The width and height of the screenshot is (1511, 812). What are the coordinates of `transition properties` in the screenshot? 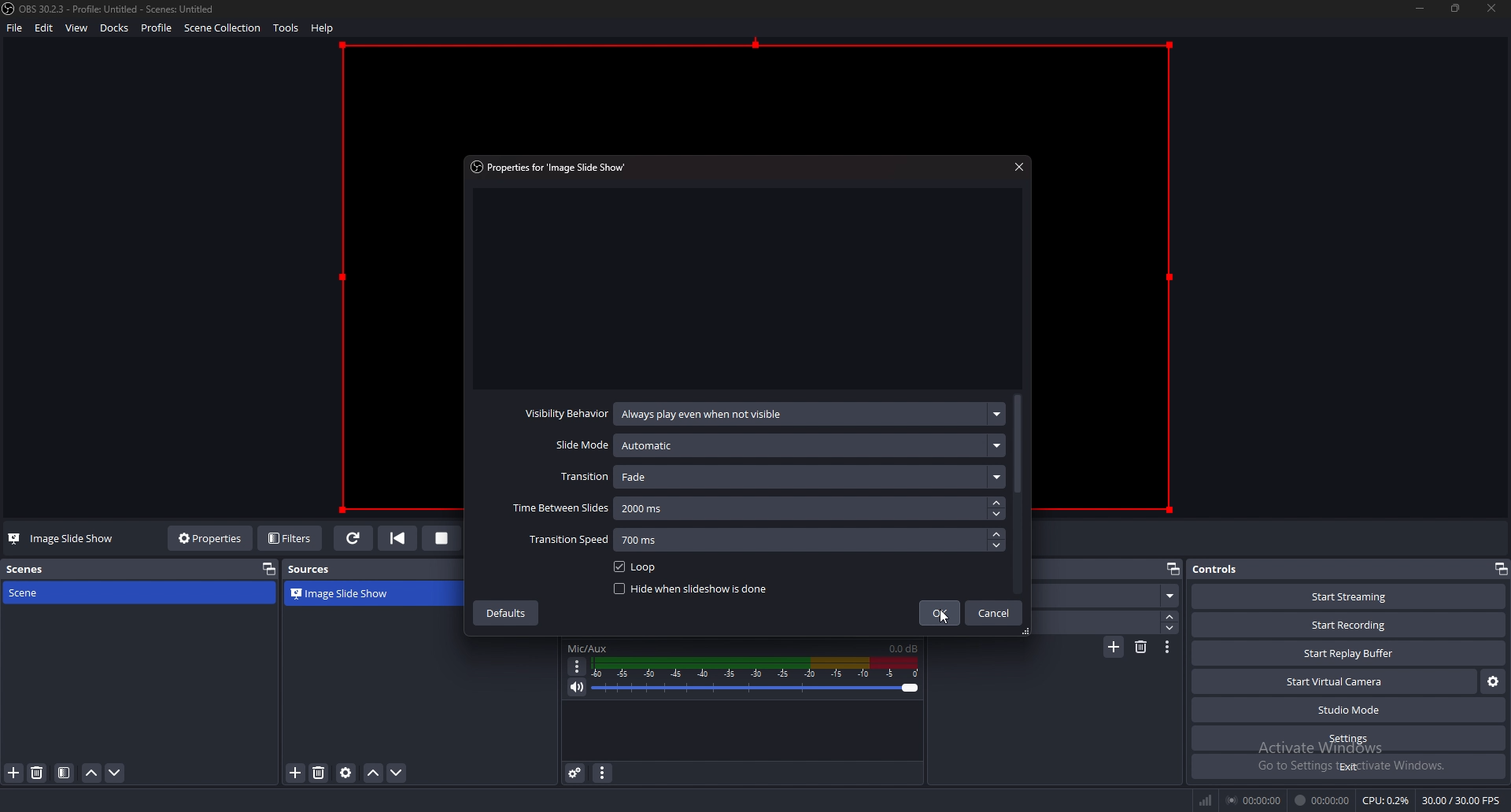 It's located at (1168, 648).